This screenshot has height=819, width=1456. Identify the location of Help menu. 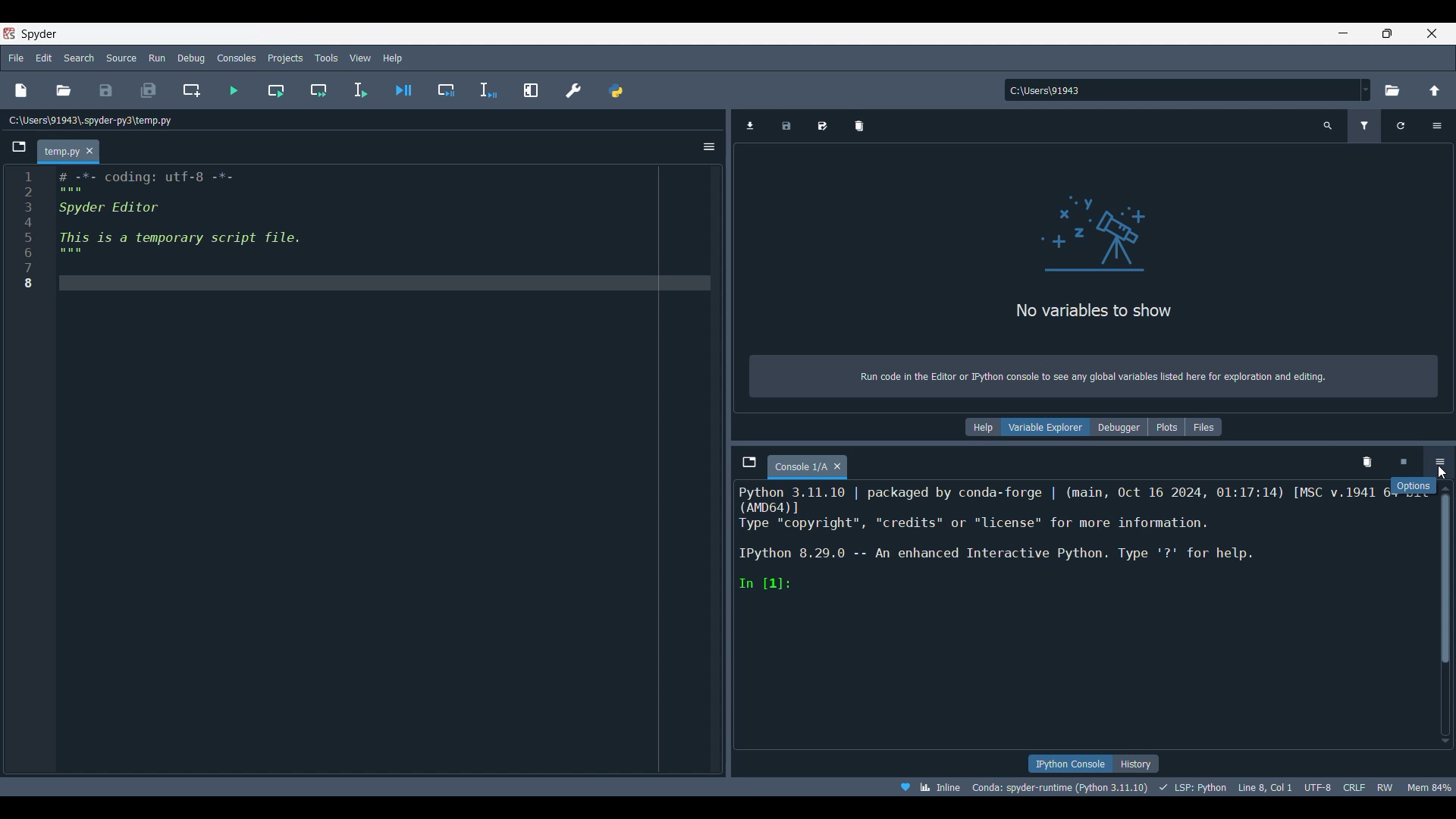
(393, 58).